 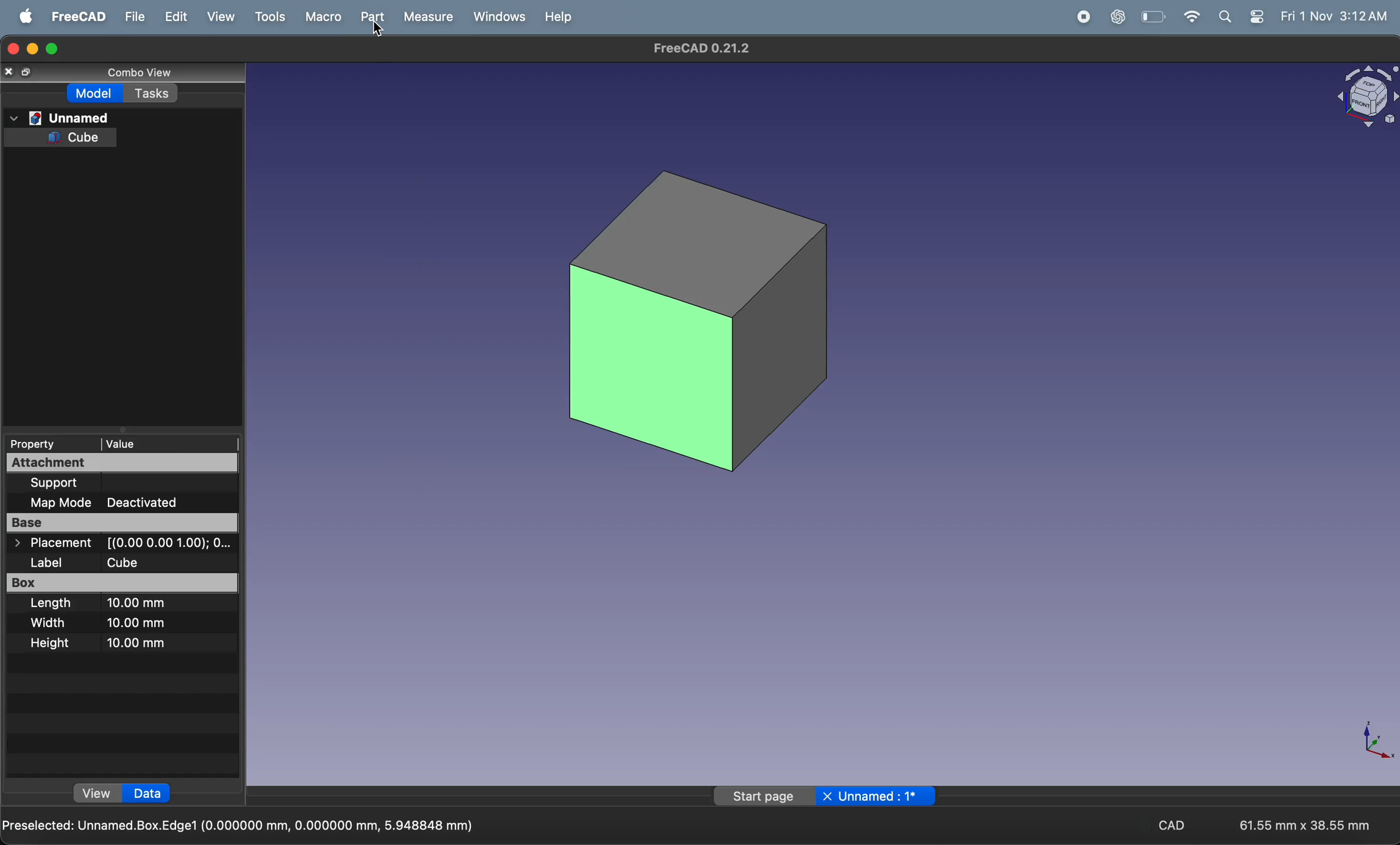 What do you see at coordinates (1155, 17) in the screenshot?
I see `battery` at bounding box center [1155, 17].